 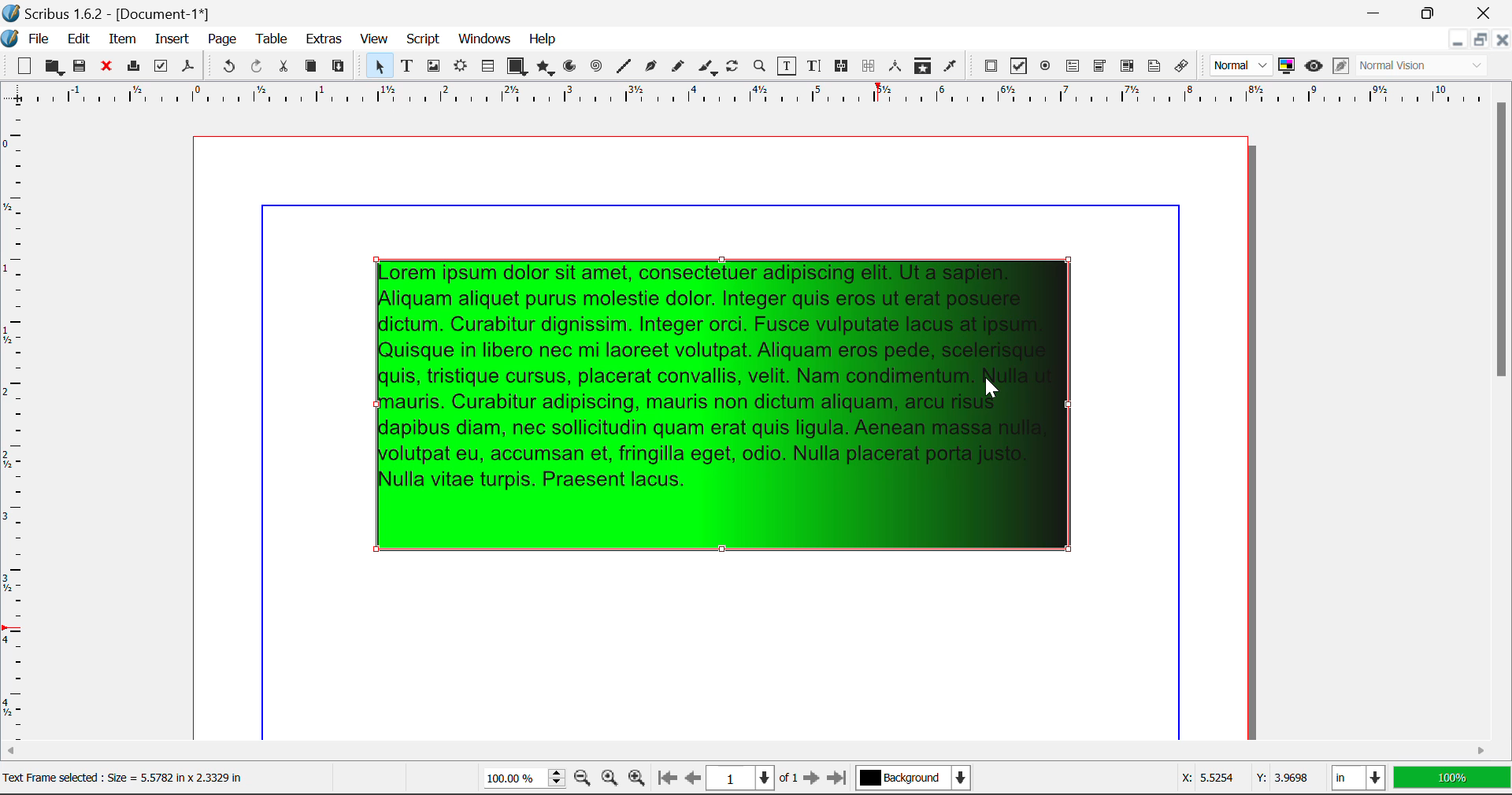 I want to click on Bezier Curve, so click(x=651, y=68).